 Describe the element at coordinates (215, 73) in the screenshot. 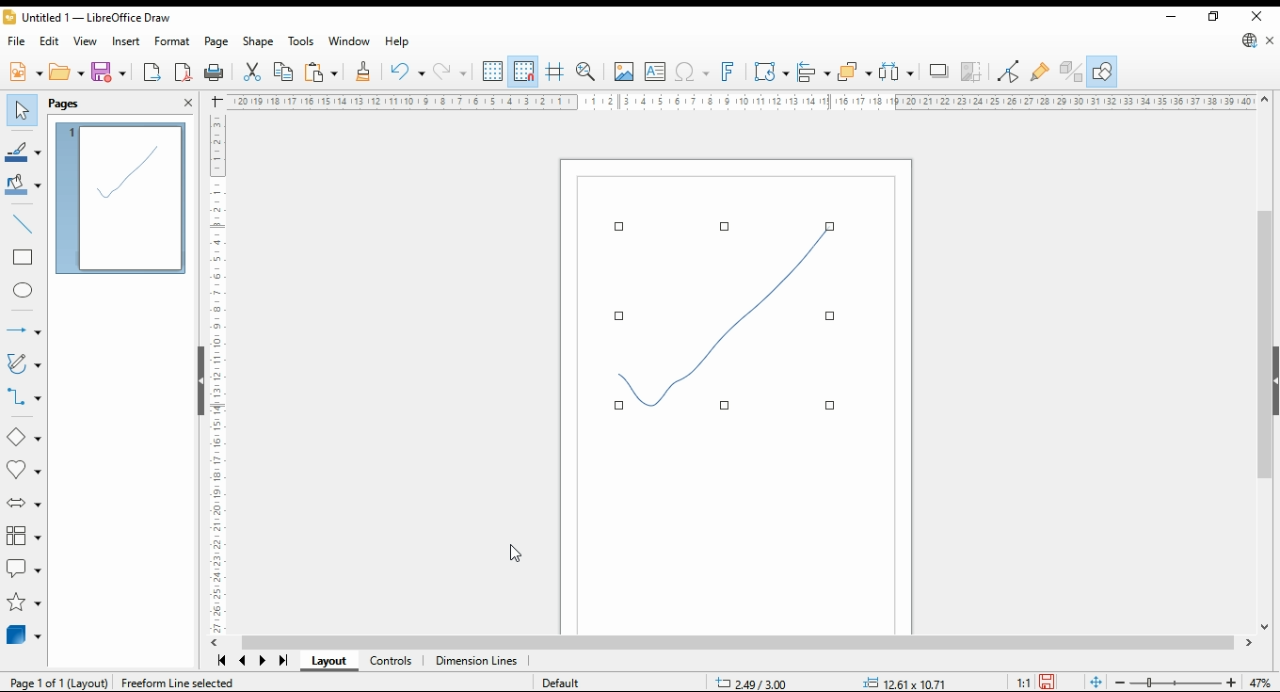

I see `print` at that location.